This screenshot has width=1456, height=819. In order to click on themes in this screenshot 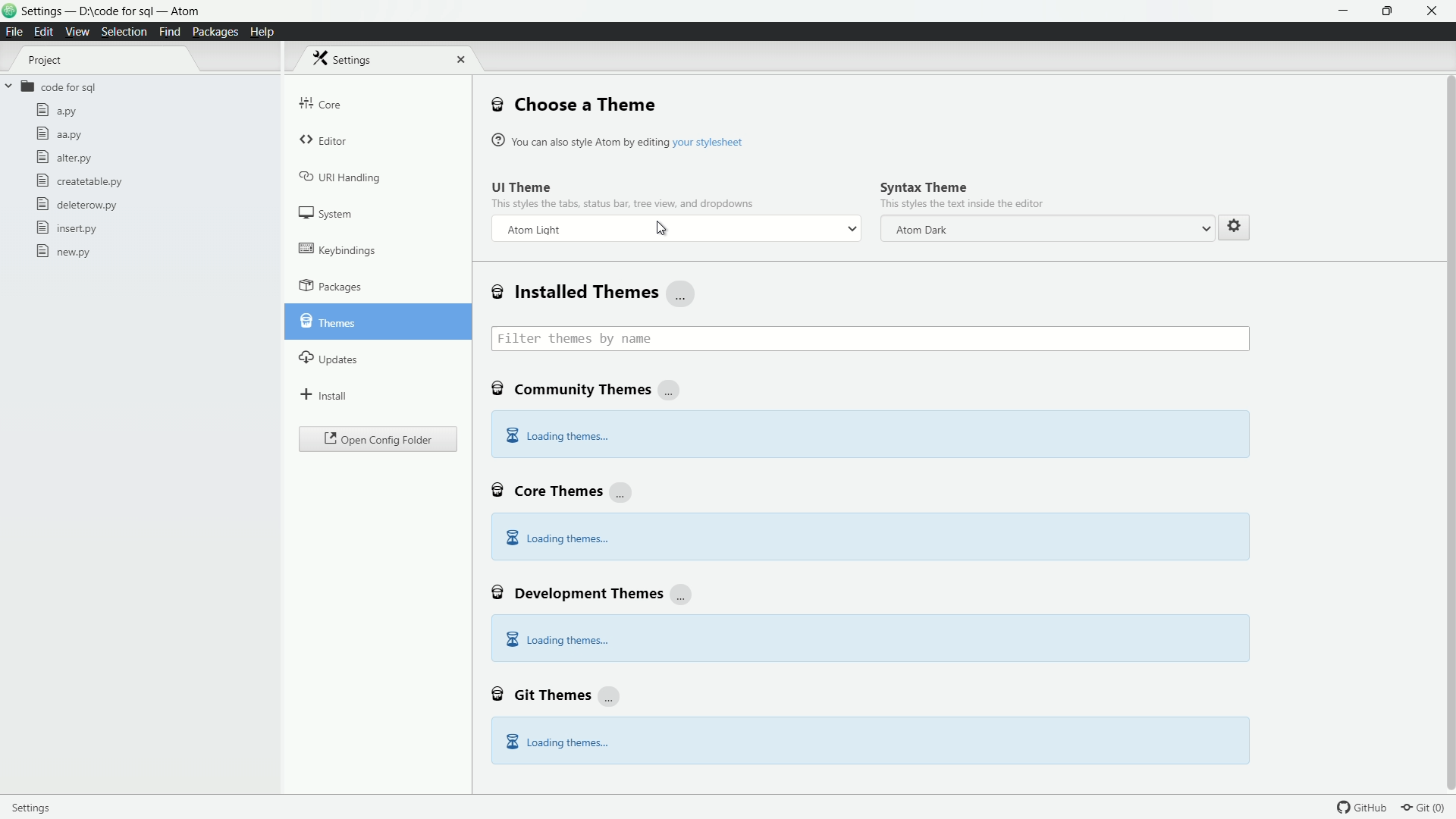, I will do `click(327, 319)`.